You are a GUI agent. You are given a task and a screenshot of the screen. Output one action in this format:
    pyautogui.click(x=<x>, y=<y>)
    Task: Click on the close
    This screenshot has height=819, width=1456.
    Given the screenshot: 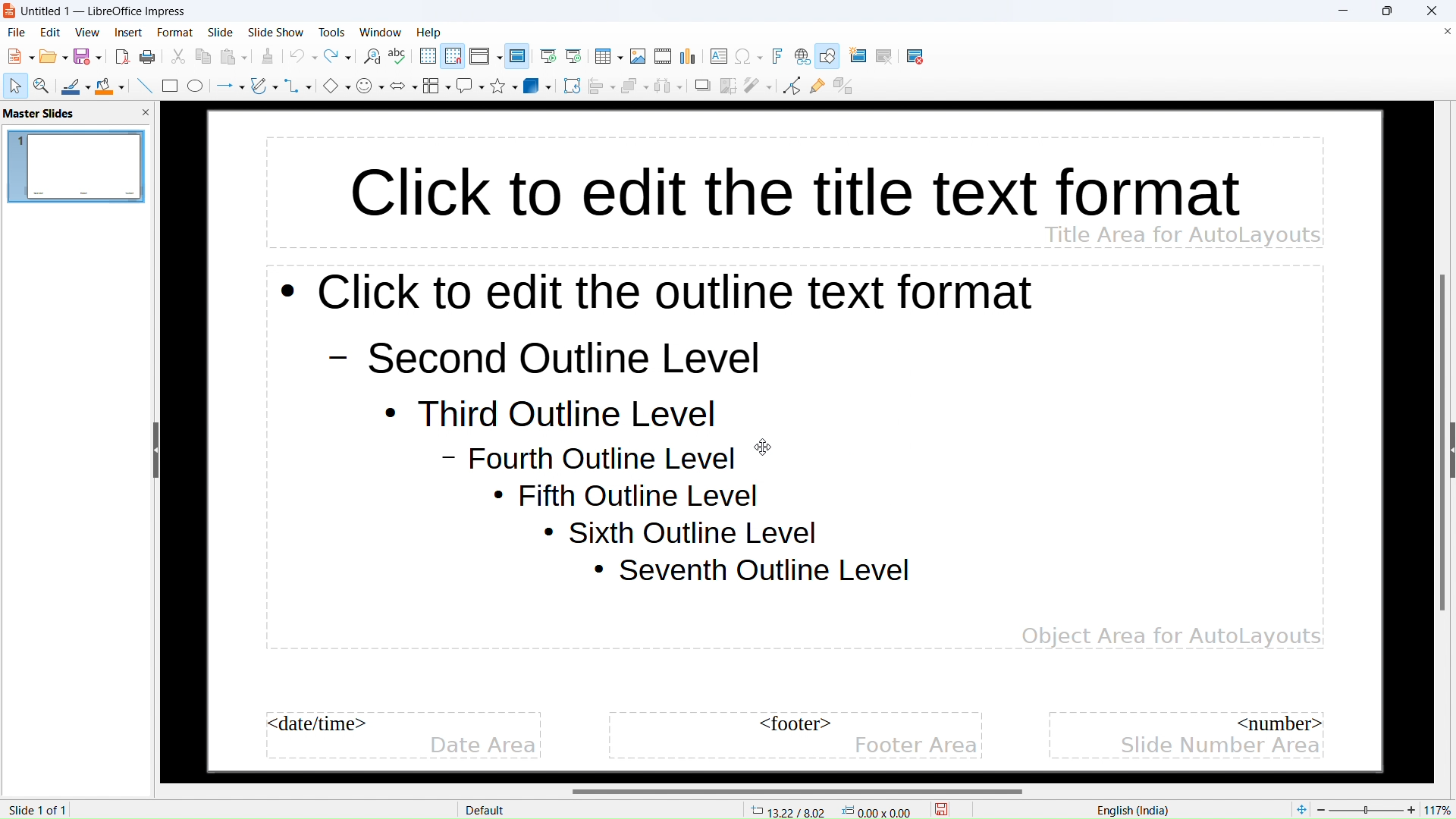 What is the action you would take?
    pyautogui.click(x=1431, y=11)
    